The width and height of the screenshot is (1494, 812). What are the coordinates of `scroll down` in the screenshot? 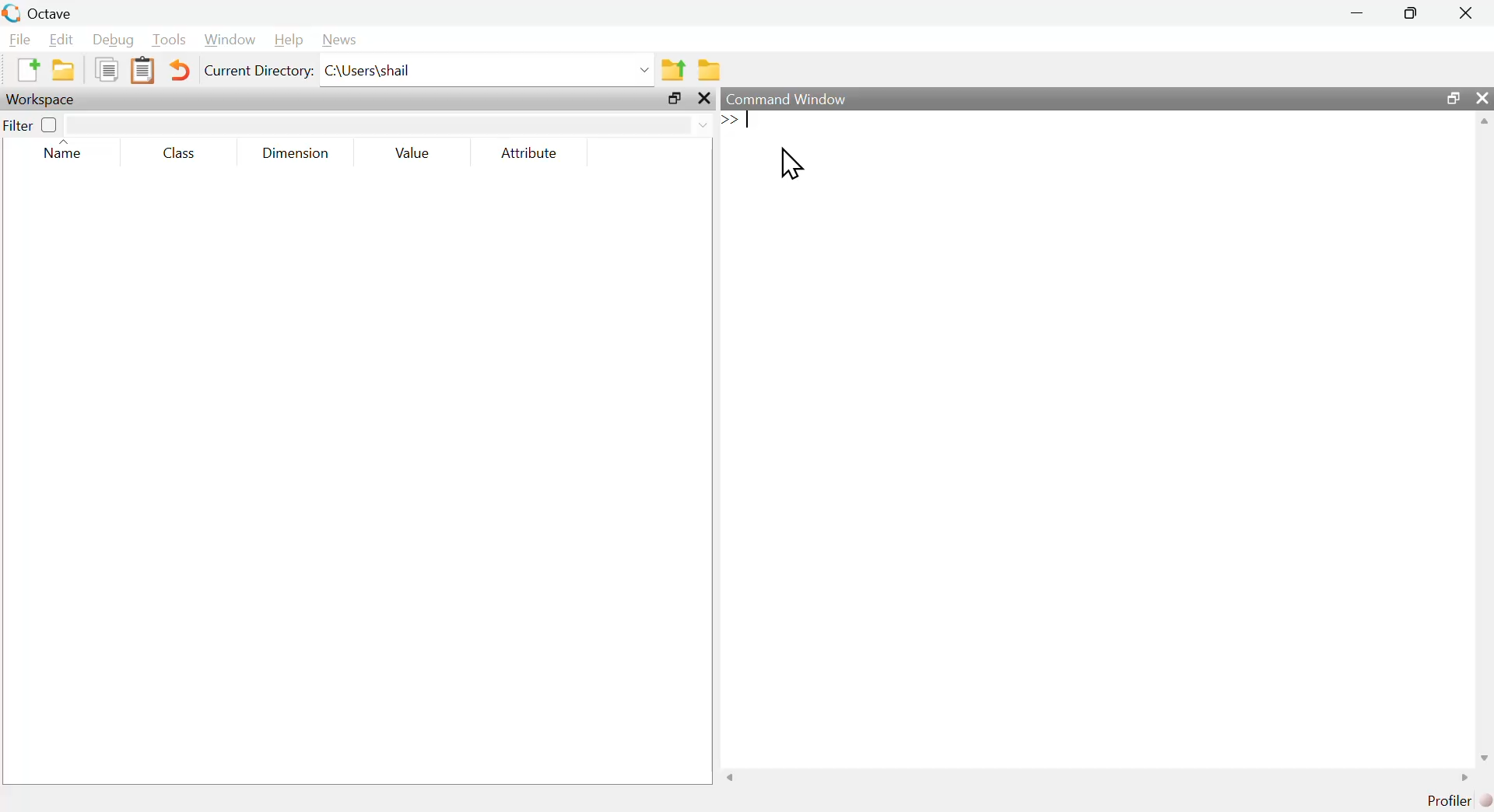 It's located at (1483, 758).